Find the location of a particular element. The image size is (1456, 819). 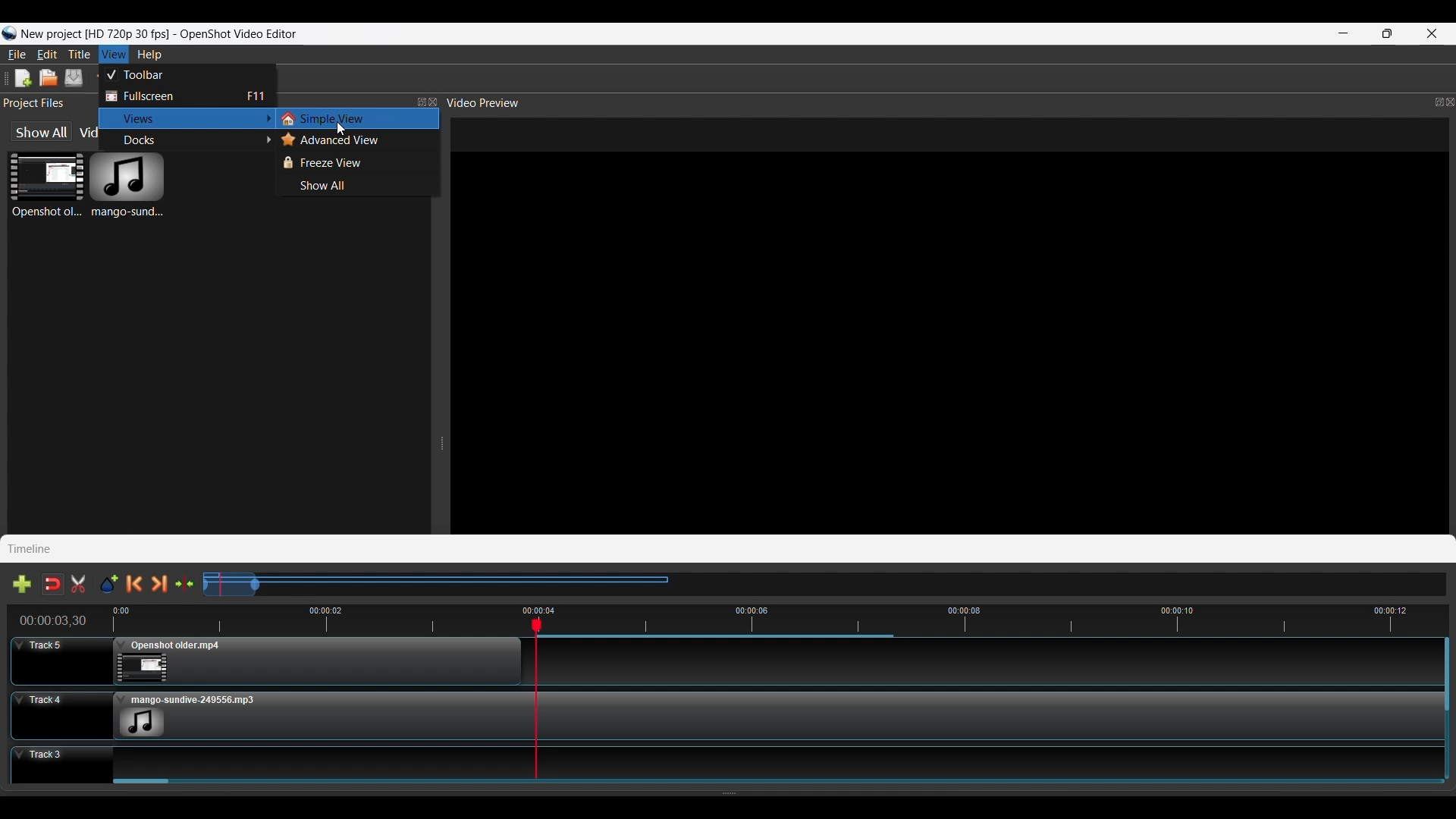

Slider is located at coordinates (785, 783).